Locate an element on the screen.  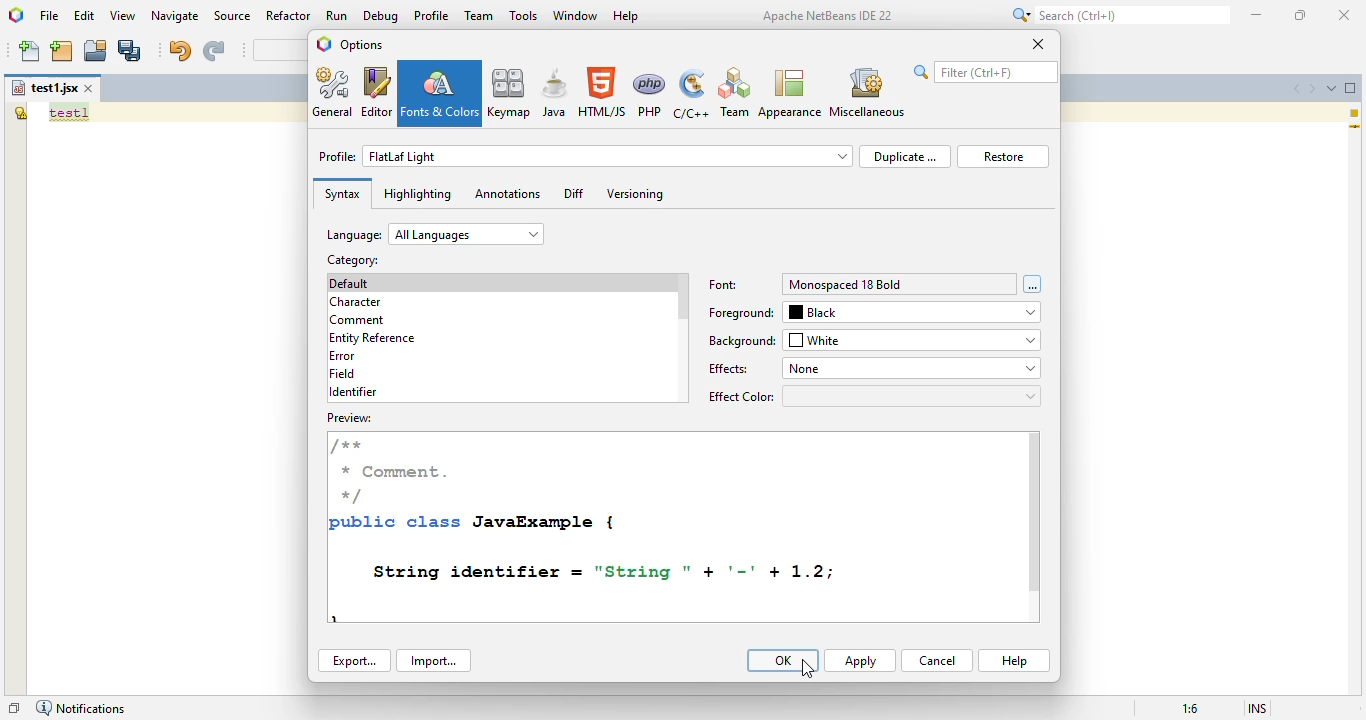
general is located at coordinates (334, 93).